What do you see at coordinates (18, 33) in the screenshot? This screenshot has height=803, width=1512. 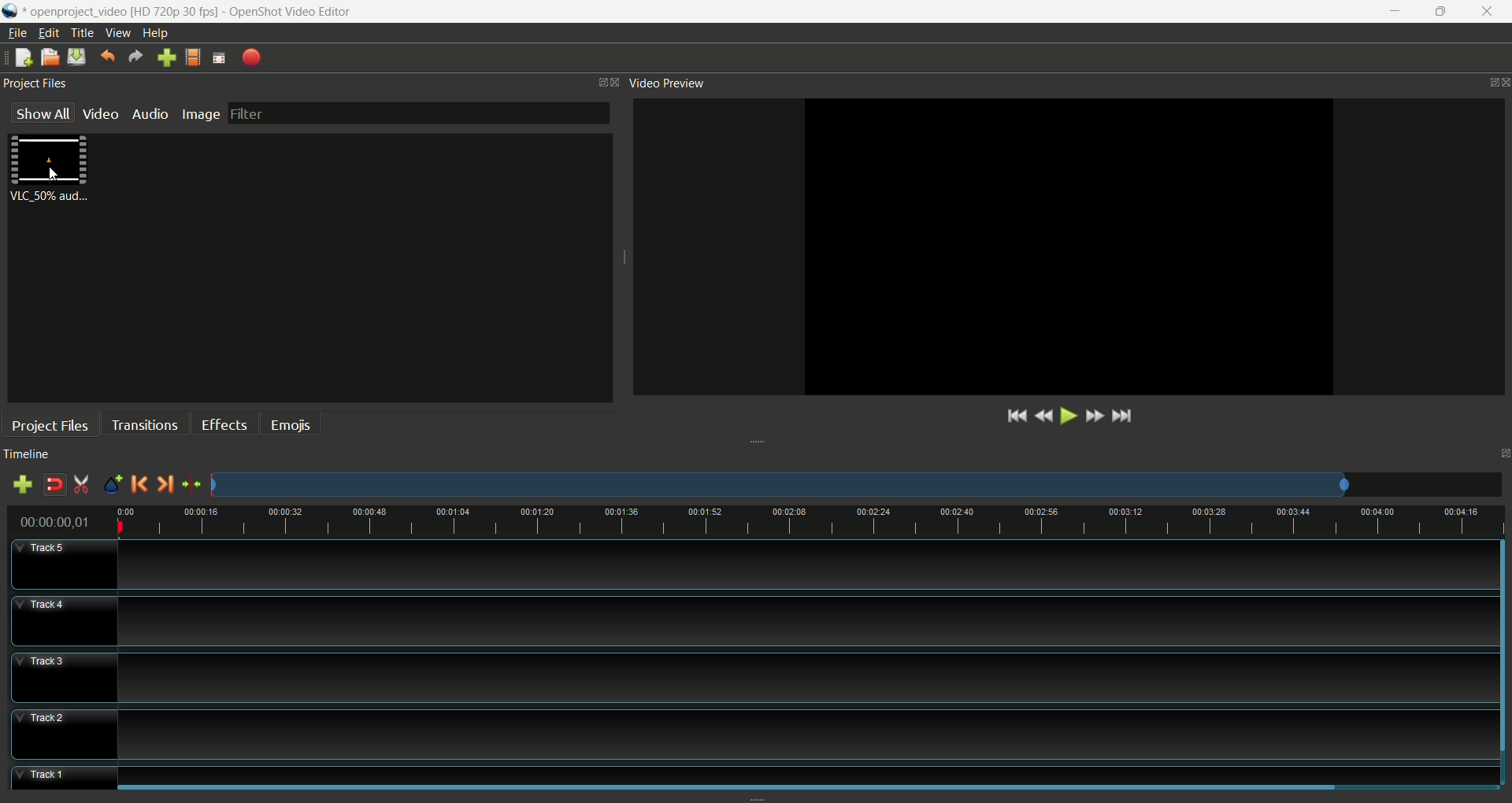 I see `file` at bounding box center [18, 33].